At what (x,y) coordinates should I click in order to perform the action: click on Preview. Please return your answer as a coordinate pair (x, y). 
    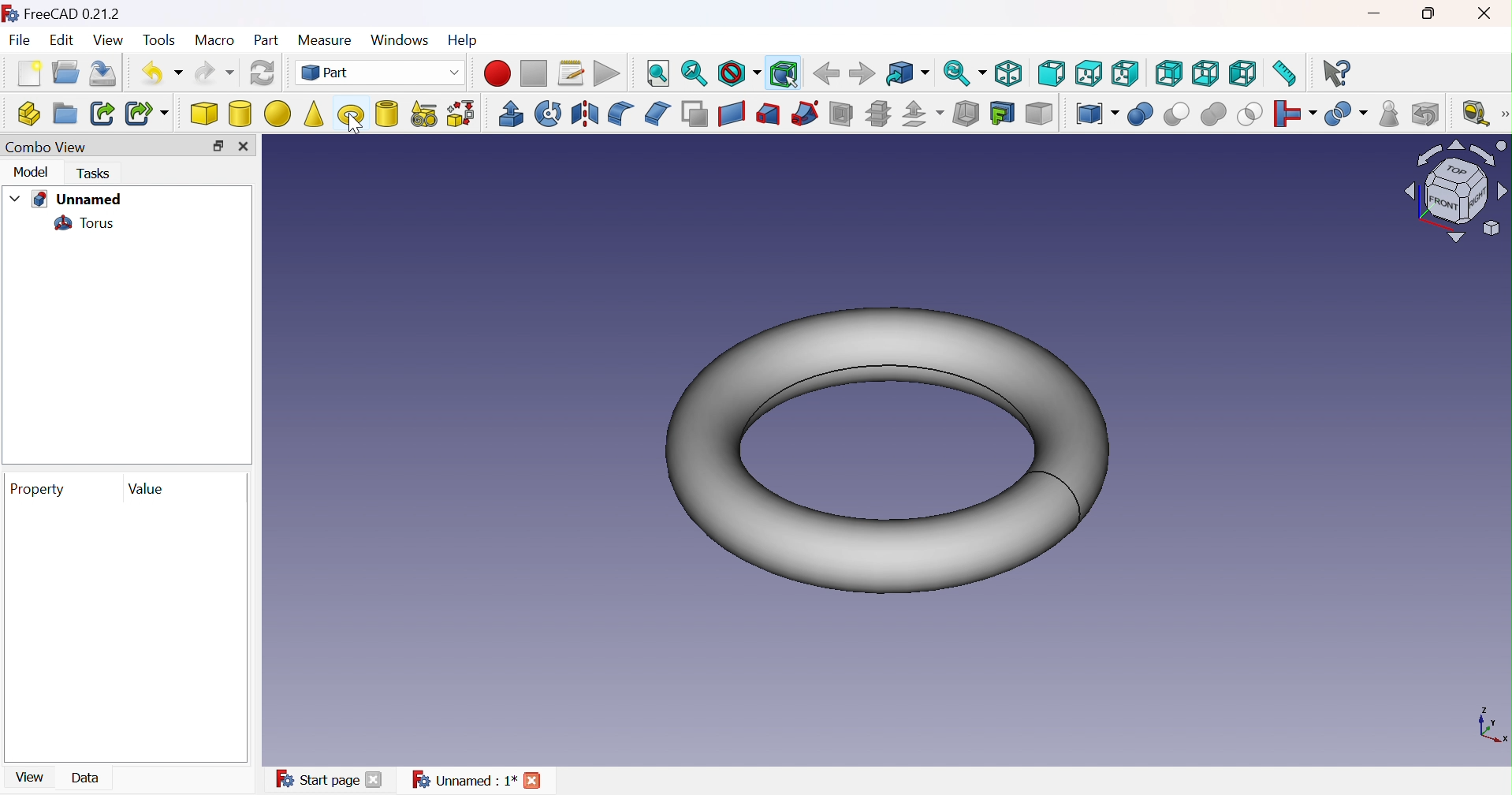
    Looking at the image, I should click on (125, 632).